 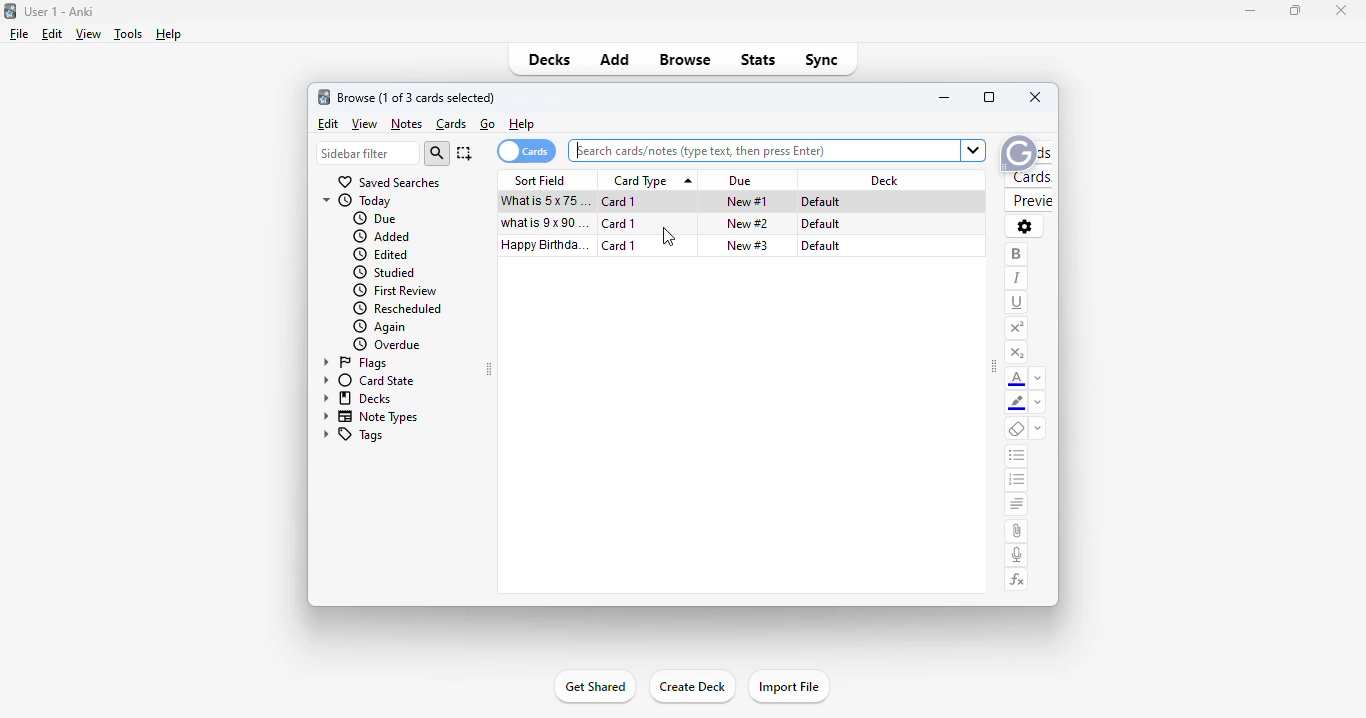 What do you see at coordinates (596, 686) in the screenshot?
I see `get shared` at bounding box center [596, 686].